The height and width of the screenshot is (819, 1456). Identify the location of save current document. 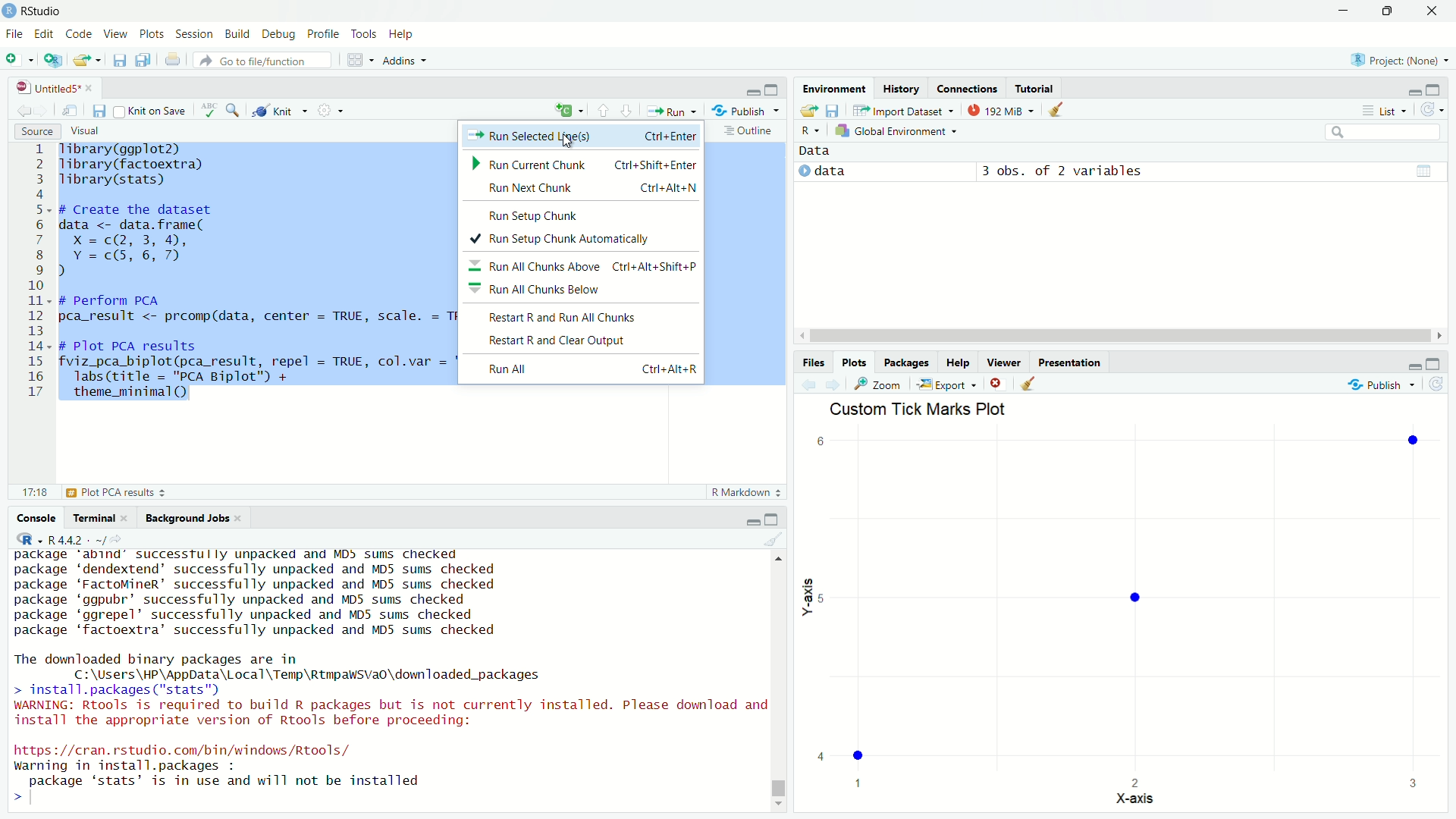
(119, 60).